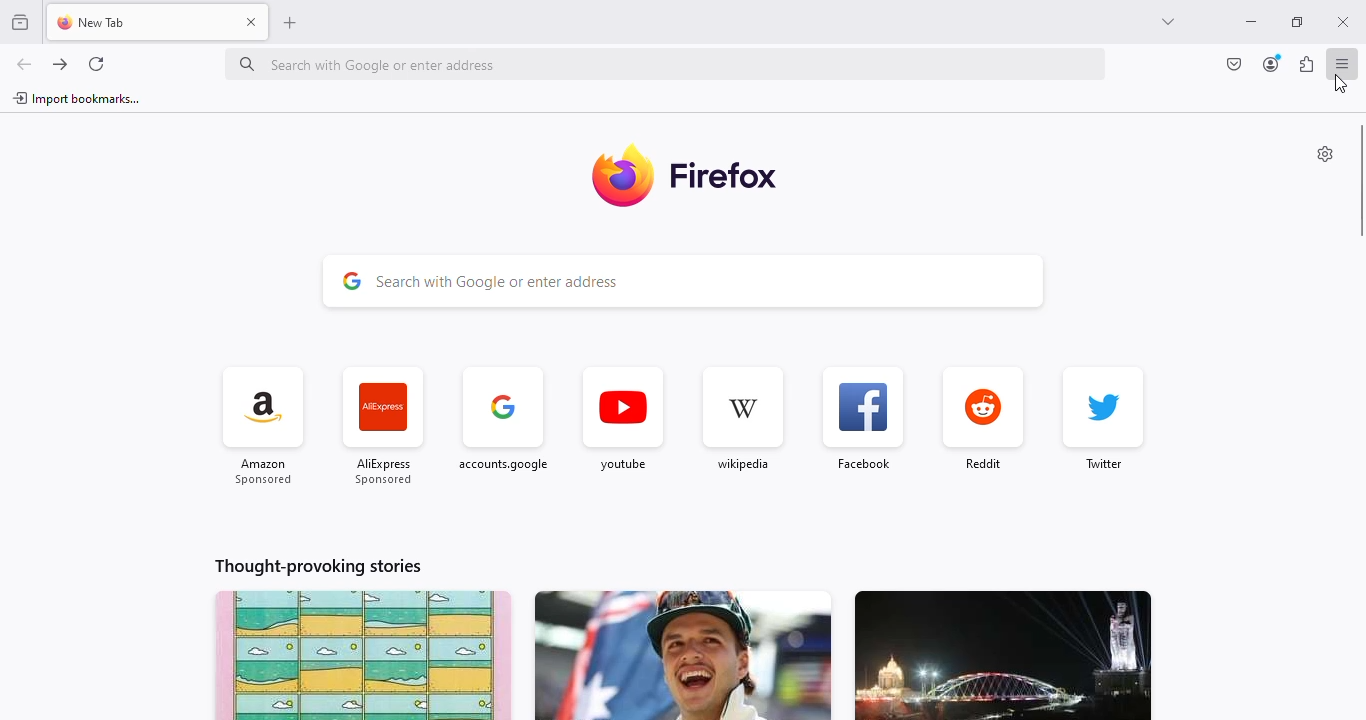 The width and height of the screenshot is (1366, 720). What do you see at coordinates (1251, 22) in the screenshot?
I see `minimize` at bounding box center [1251, 22].